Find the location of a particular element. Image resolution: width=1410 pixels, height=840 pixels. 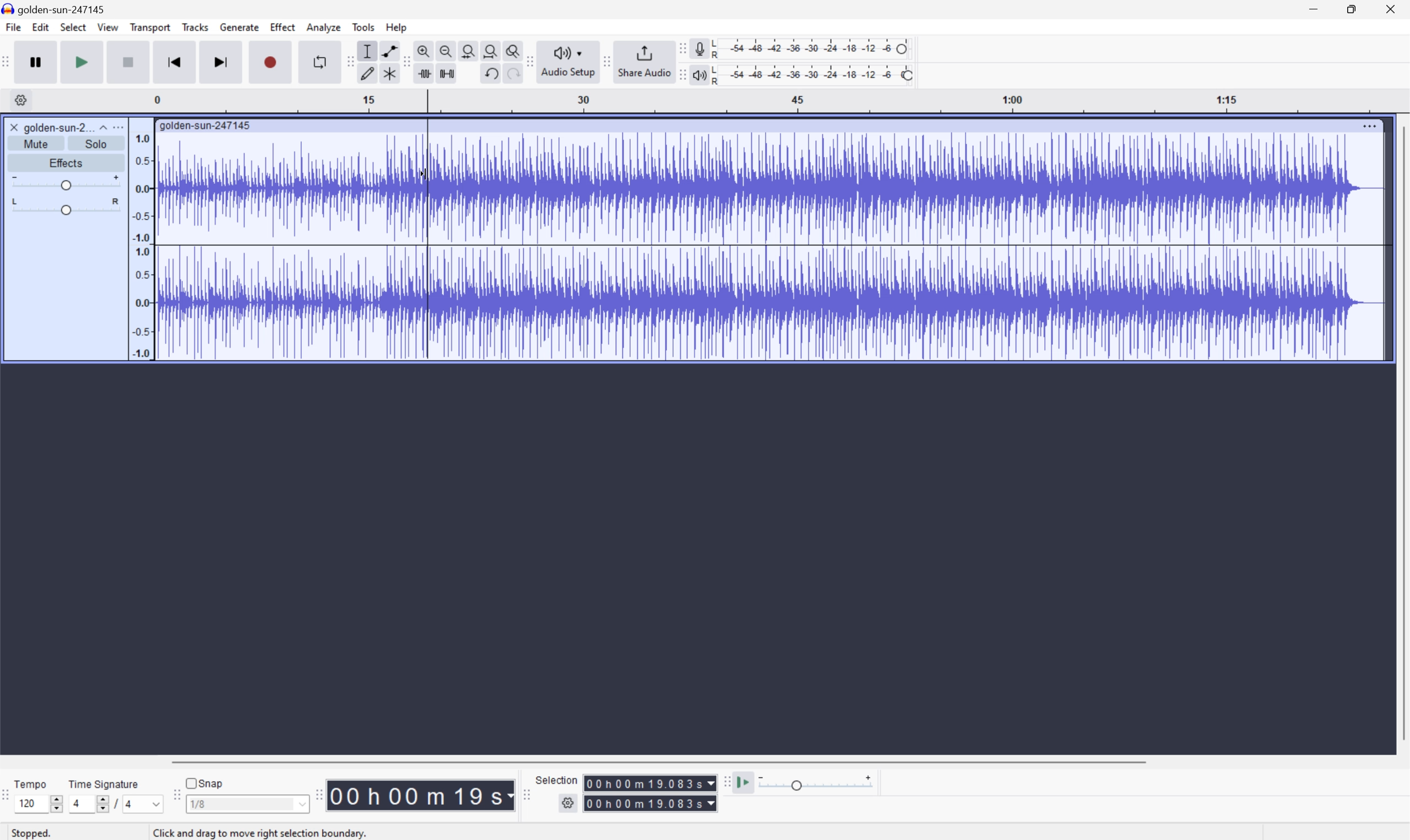

Mute is located at coordinates (40, 143).